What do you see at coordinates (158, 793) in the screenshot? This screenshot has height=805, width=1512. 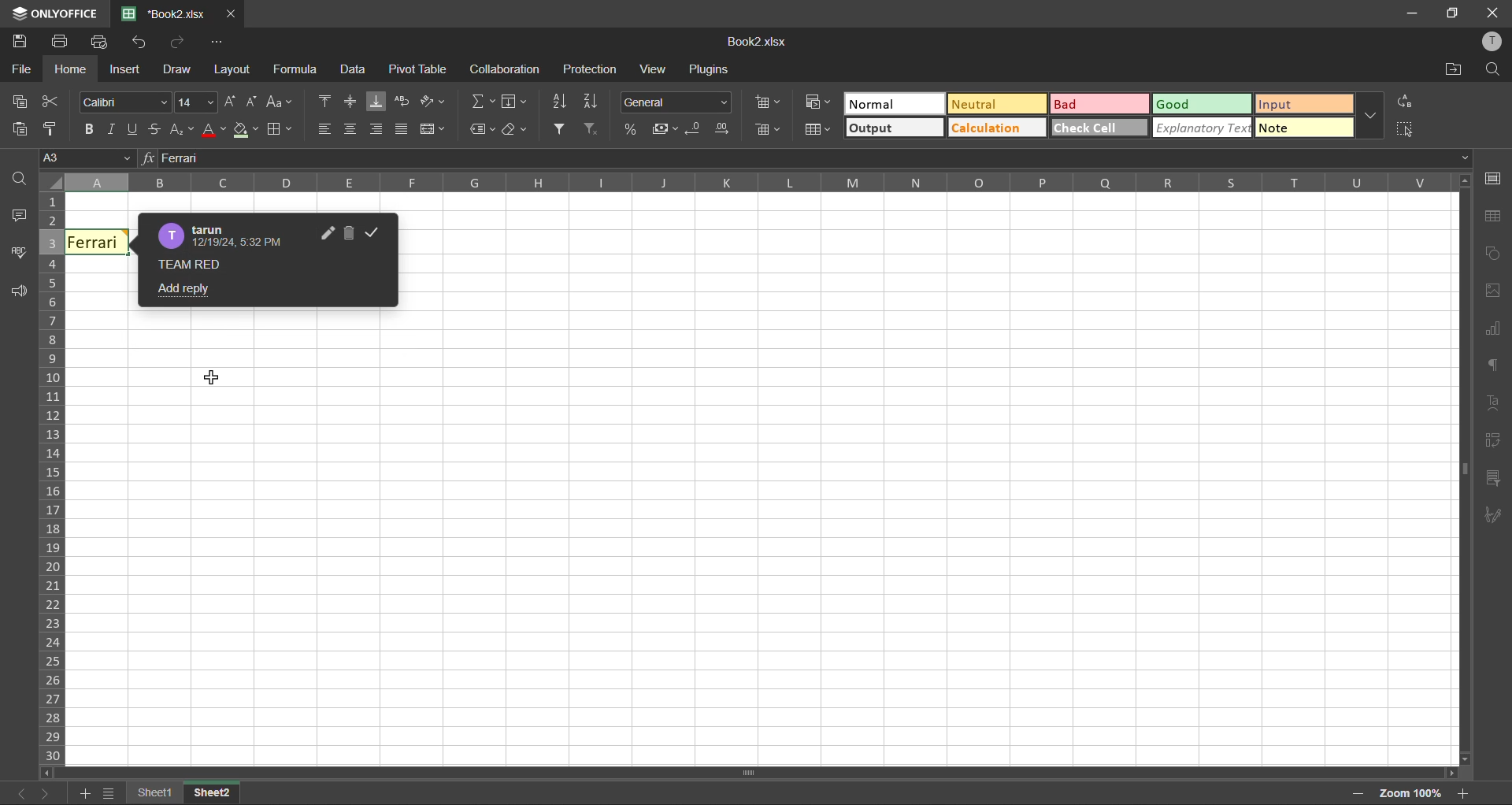 I see `sheet names` at bounding box center [158, 793].